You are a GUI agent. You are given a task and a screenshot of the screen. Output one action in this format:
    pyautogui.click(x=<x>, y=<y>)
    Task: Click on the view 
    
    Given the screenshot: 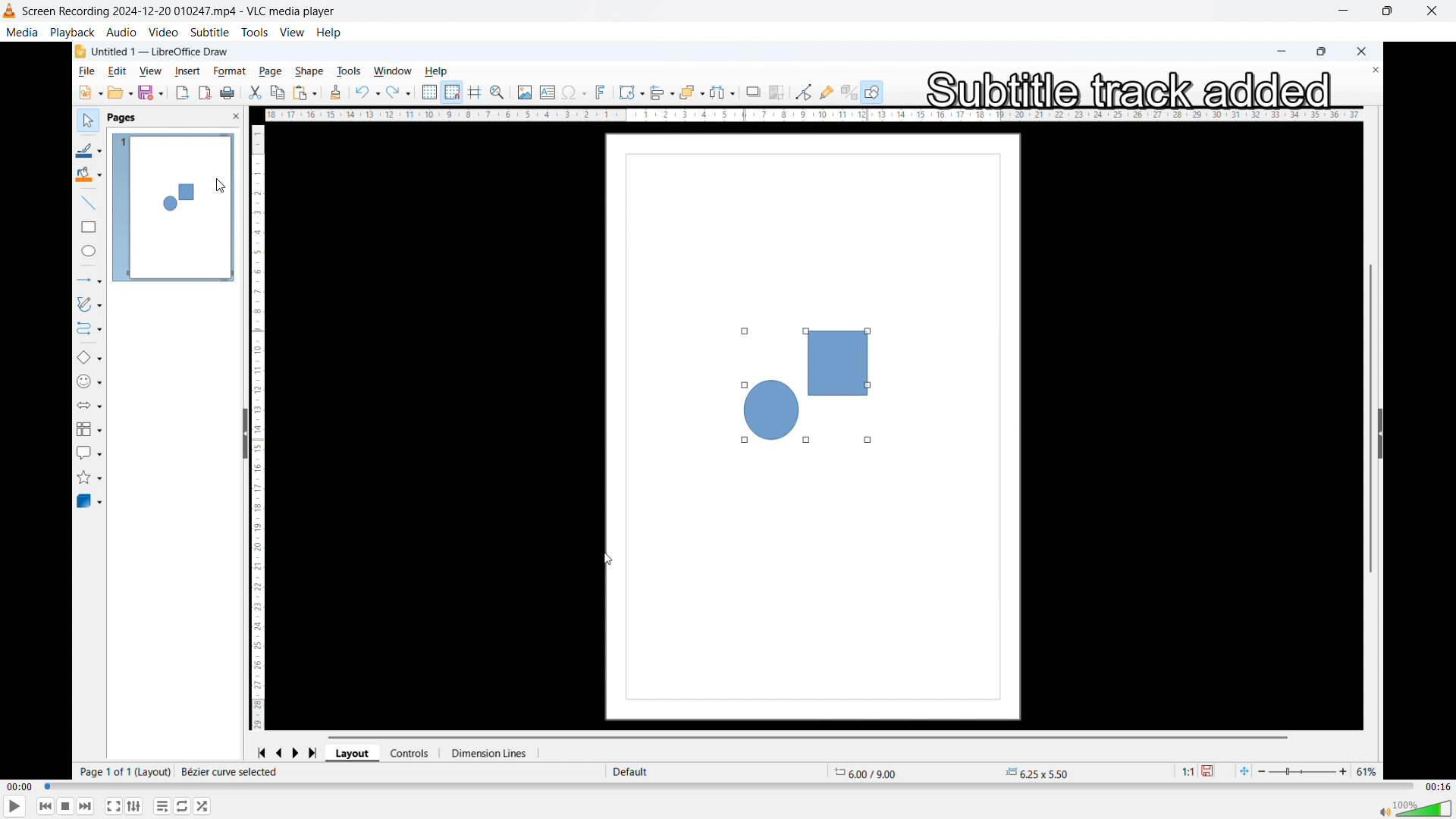 What is the action you would take?
    pyautogui.click(x=293, y=33)
    